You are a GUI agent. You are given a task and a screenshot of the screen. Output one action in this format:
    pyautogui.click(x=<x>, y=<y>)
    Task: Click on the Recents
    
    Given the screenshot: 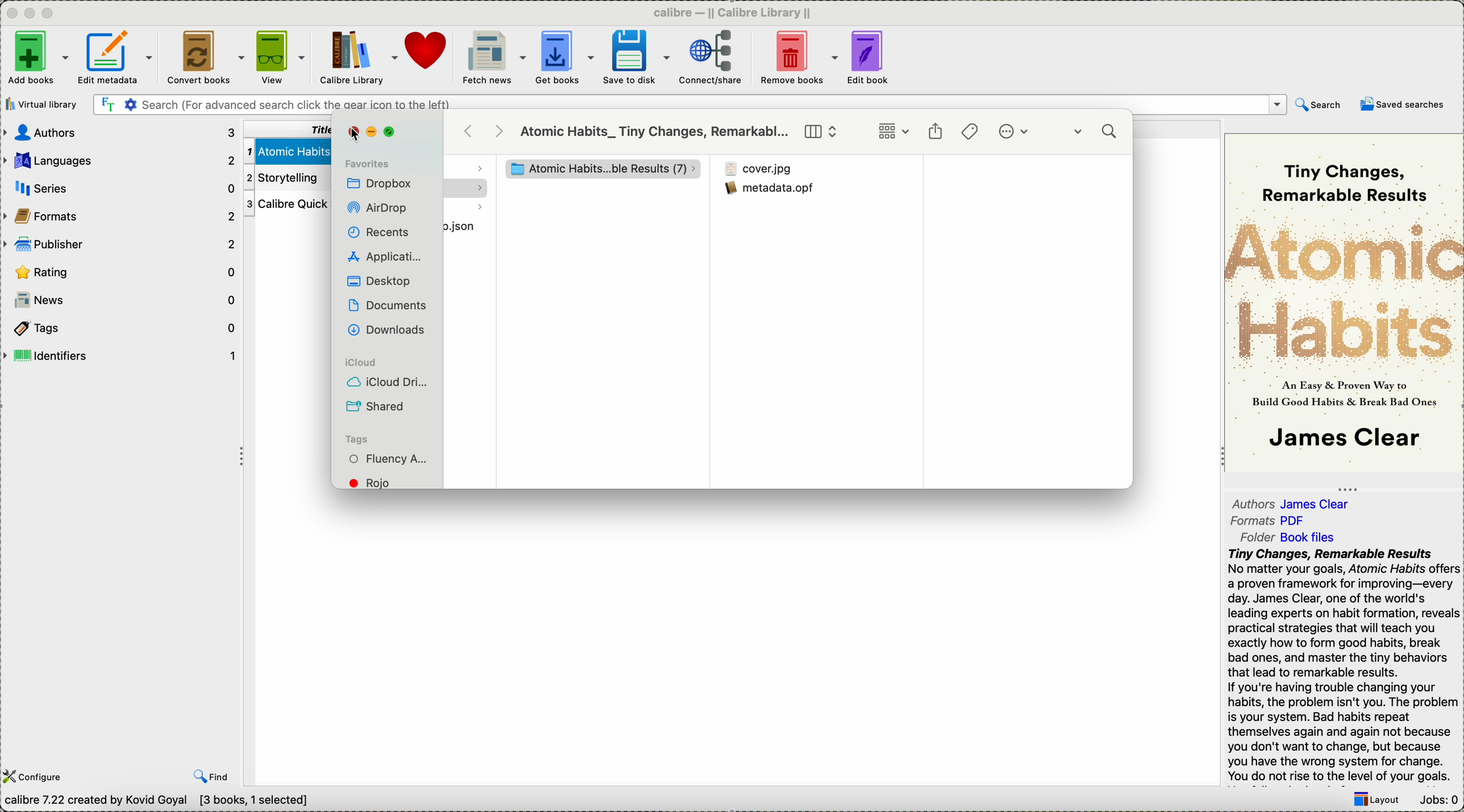 What is the action you would take?
    pyautogui.click(x=377, y=232)
    